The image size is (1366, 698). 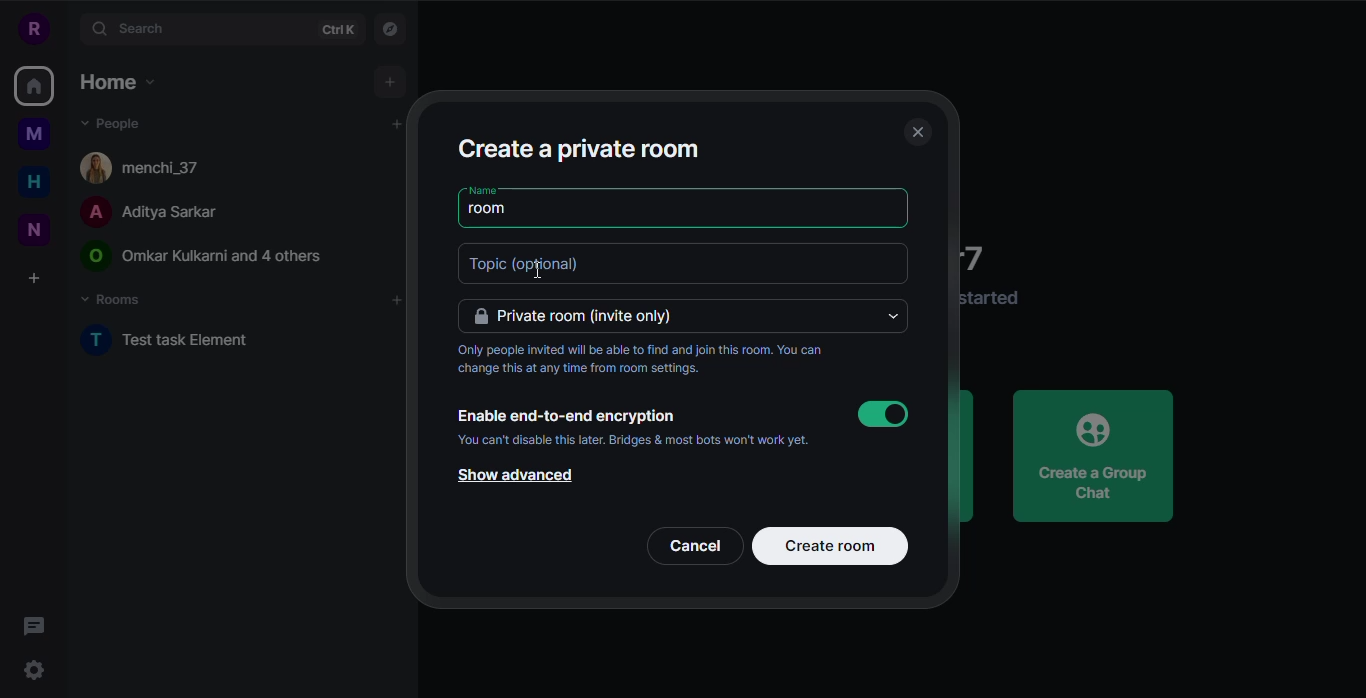 What do you see at coordinates (113, 300) in the screenshot?
I see `rooms` at bounding box center [113, 300].